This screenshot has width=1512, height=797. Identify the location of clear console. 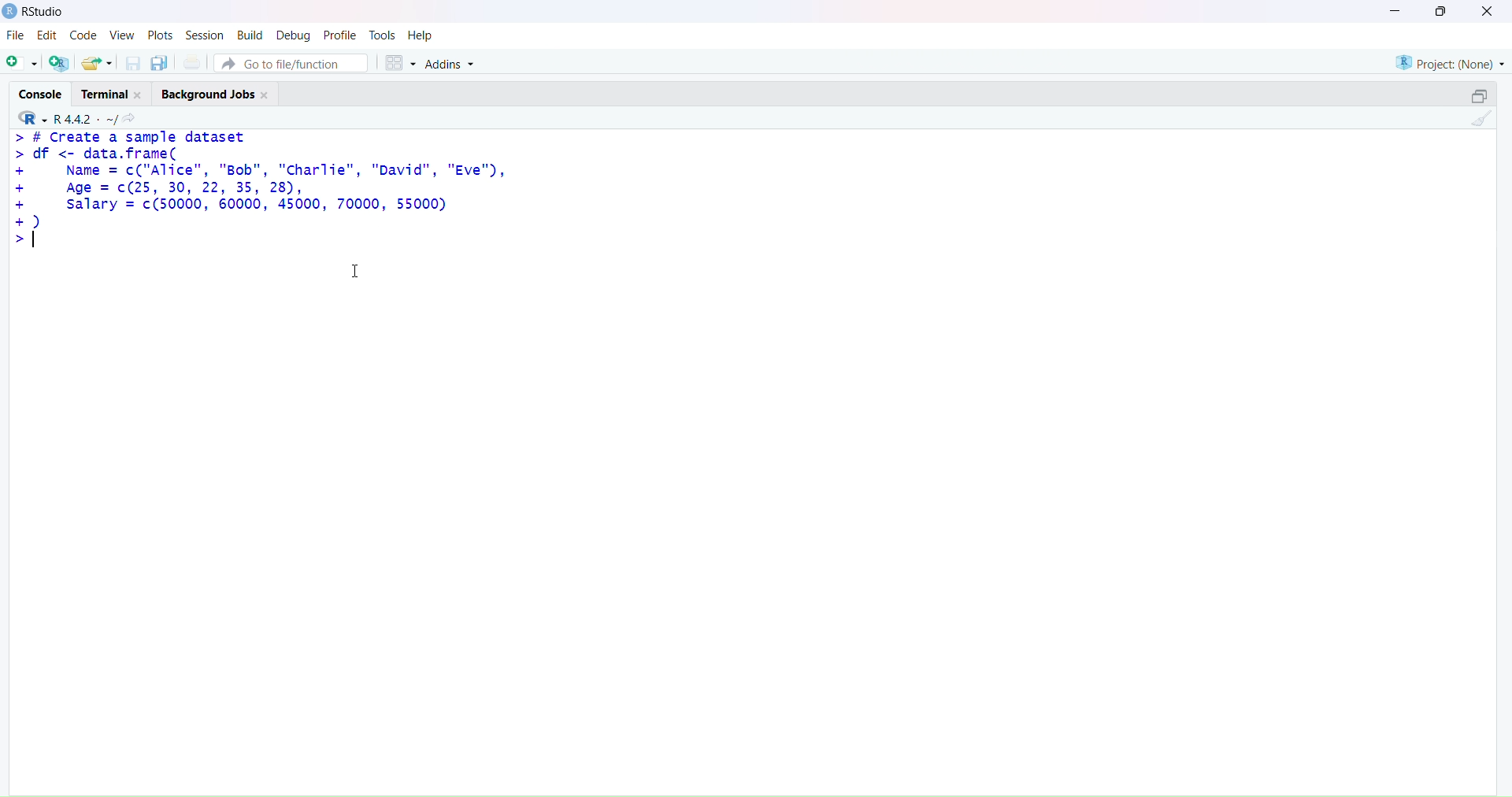
(1483, 120).